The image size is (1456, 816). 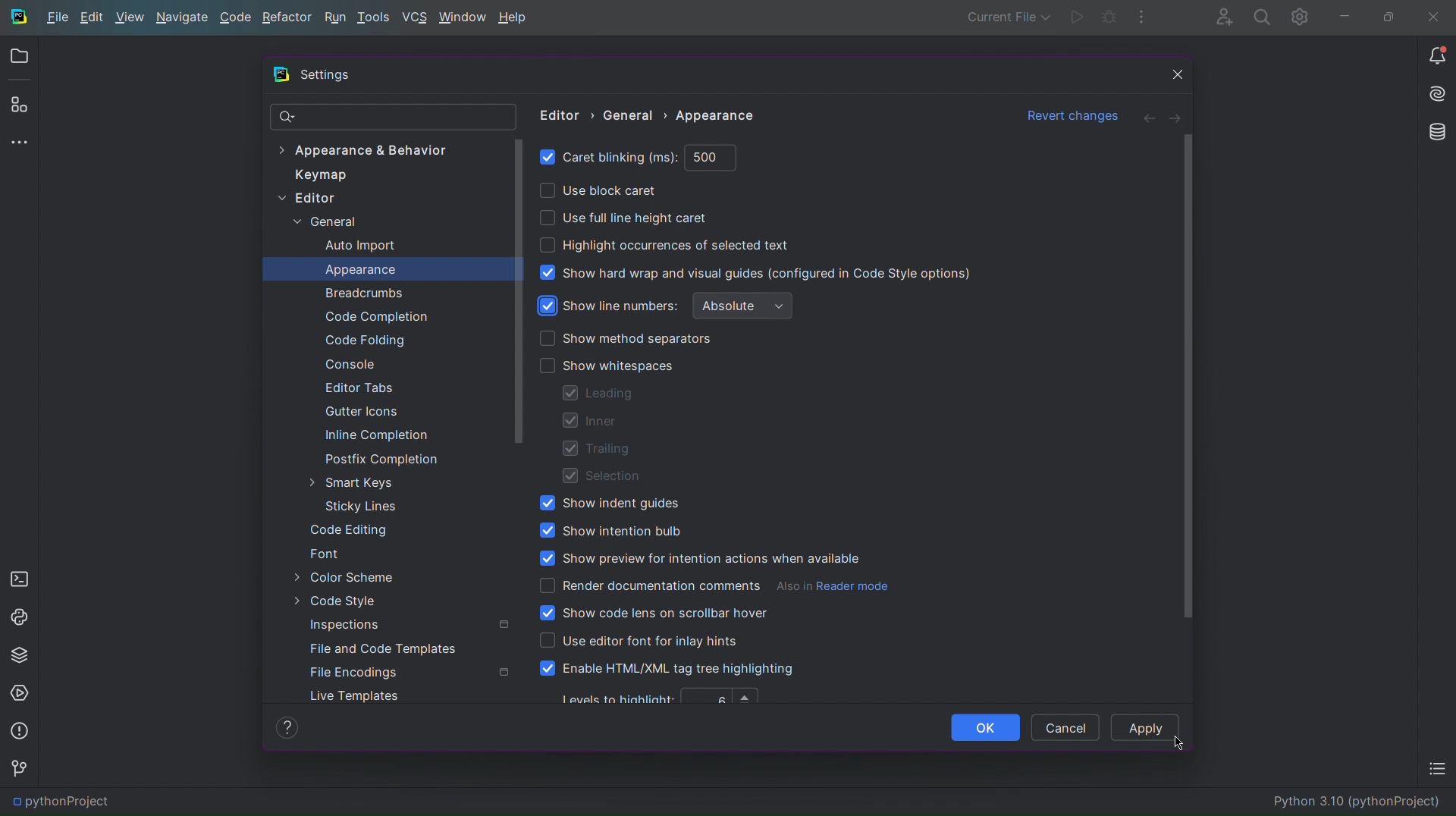 What do you see at coordinates (598, 190) in the screenshot?
I see `Use block caret` at bounding box center [598, 190].